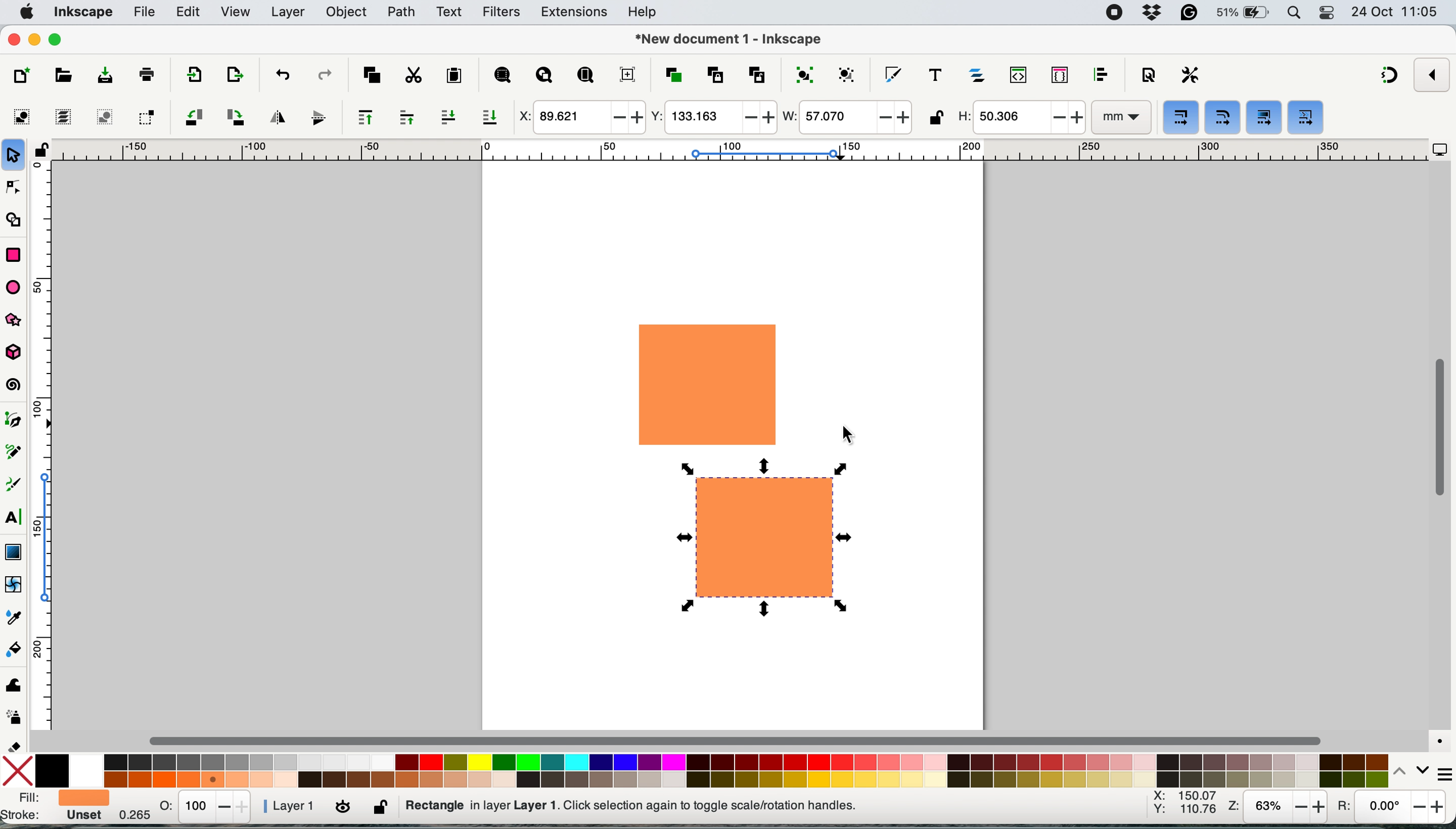 This screenshot has width=1456, height=829. Describe the element at coordinates (27, 11) in the screenshot. I see `system logo` at that location.